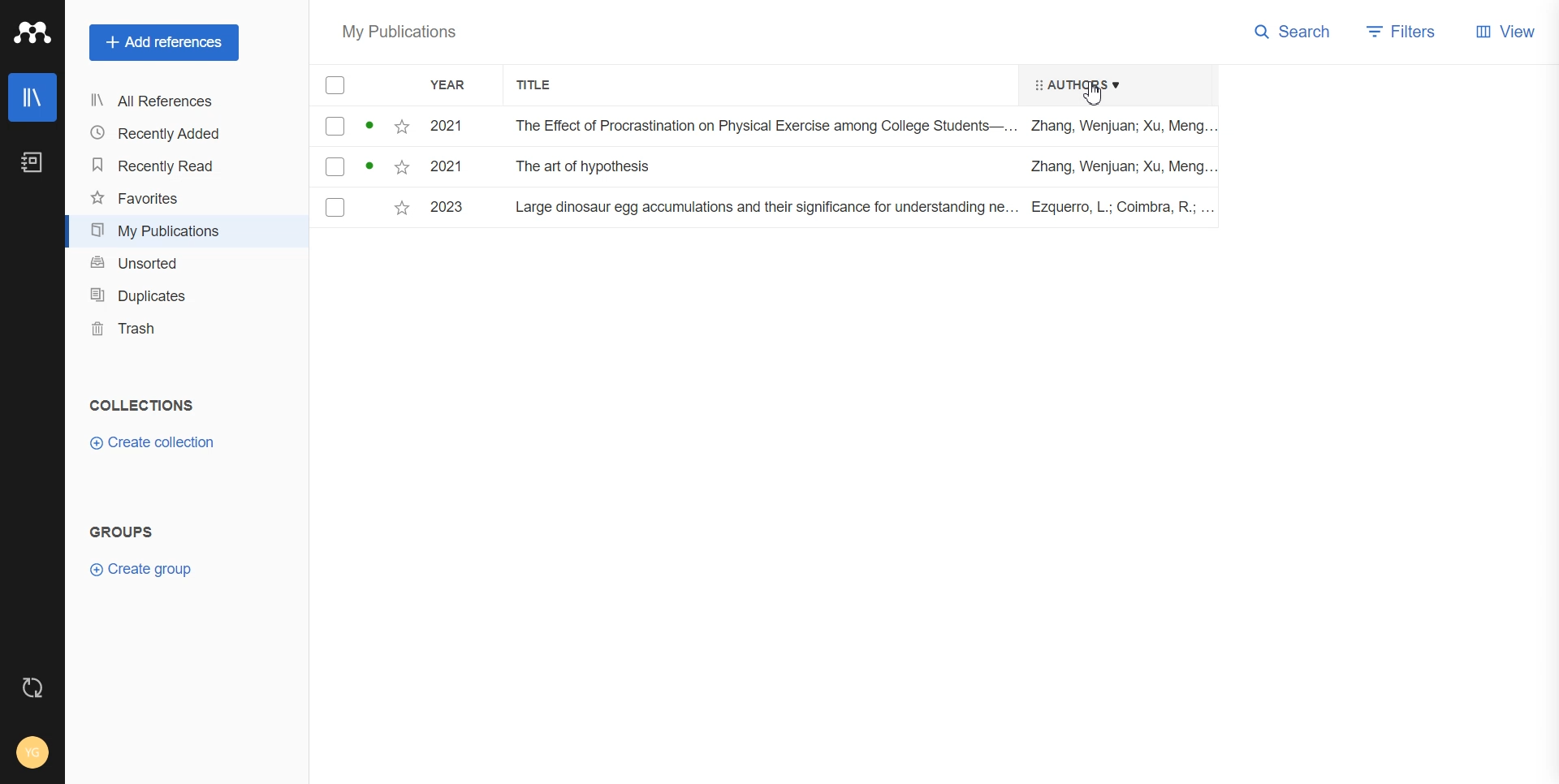 Image resolution: width=1559 pixels, height=784 pixels. I want to click on Trash, so click(184, 328).